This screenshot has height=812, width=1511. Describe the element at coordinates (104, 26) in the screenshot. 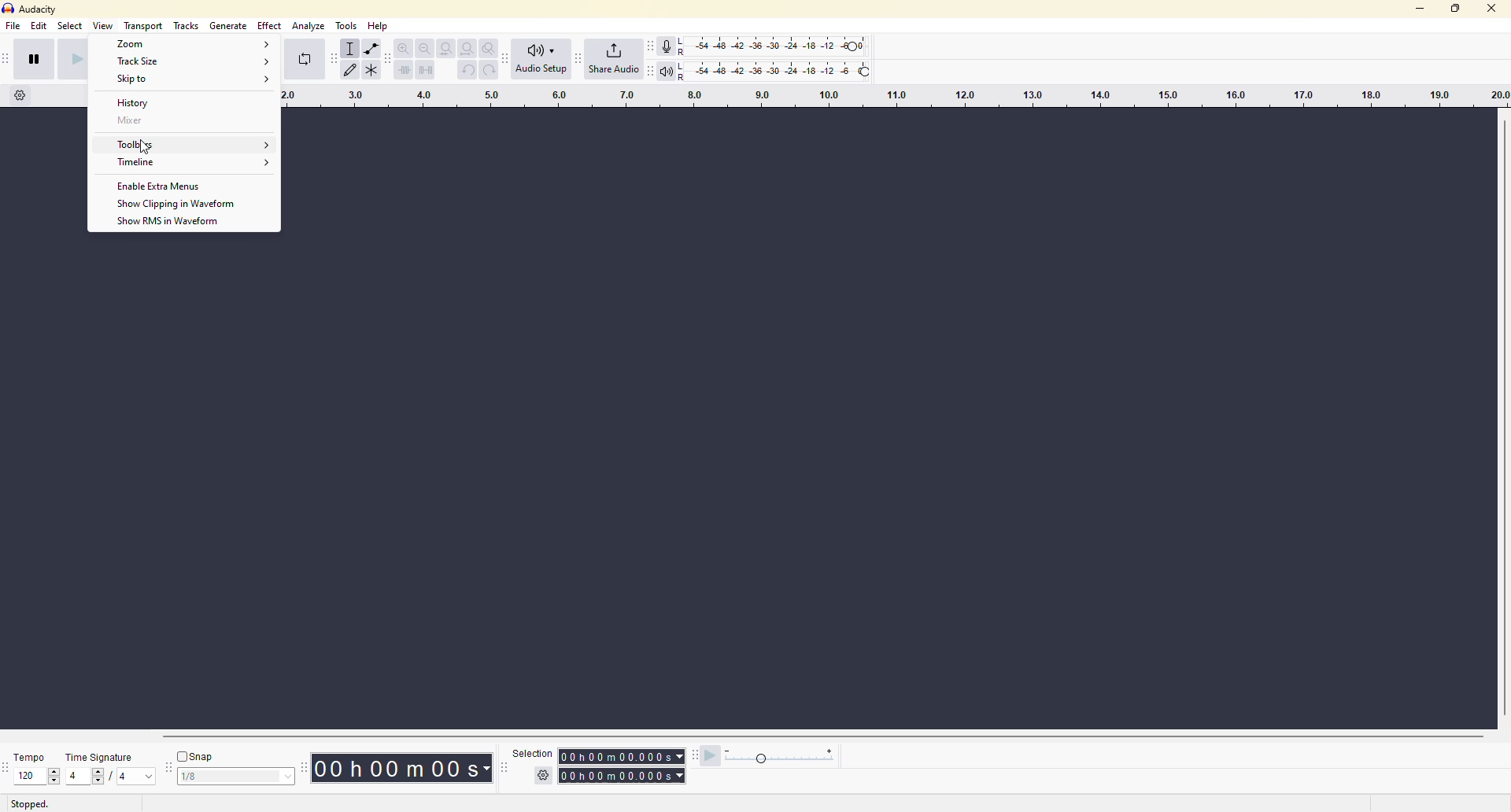

I see `view` at that location.